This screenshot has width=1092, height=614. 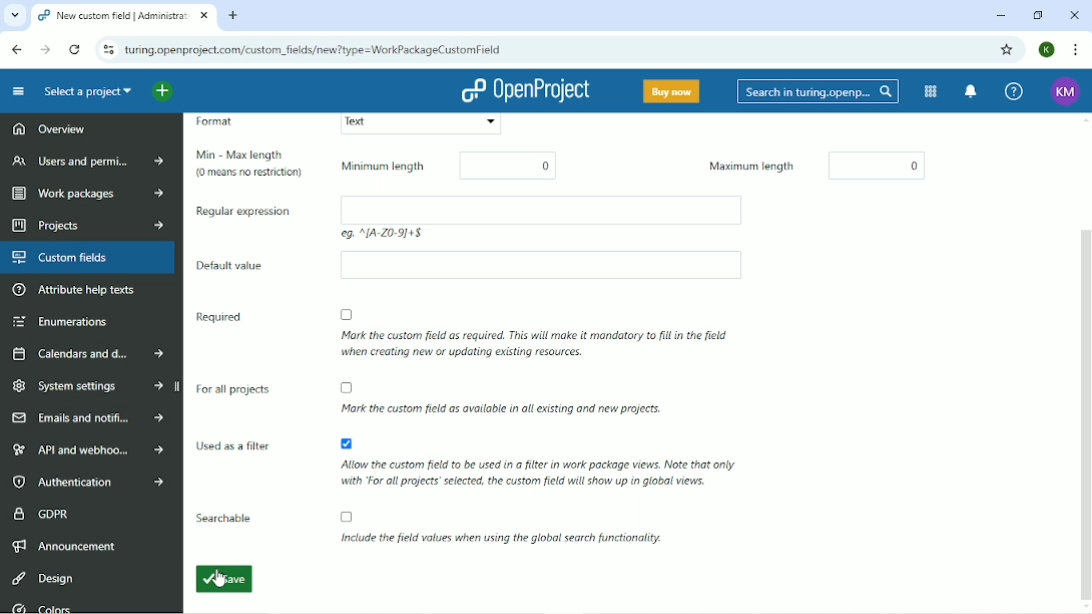 What do you see at coordinates (235, 384) in the screenshot?
I see `For all projects` at bounding box center [235, 384].